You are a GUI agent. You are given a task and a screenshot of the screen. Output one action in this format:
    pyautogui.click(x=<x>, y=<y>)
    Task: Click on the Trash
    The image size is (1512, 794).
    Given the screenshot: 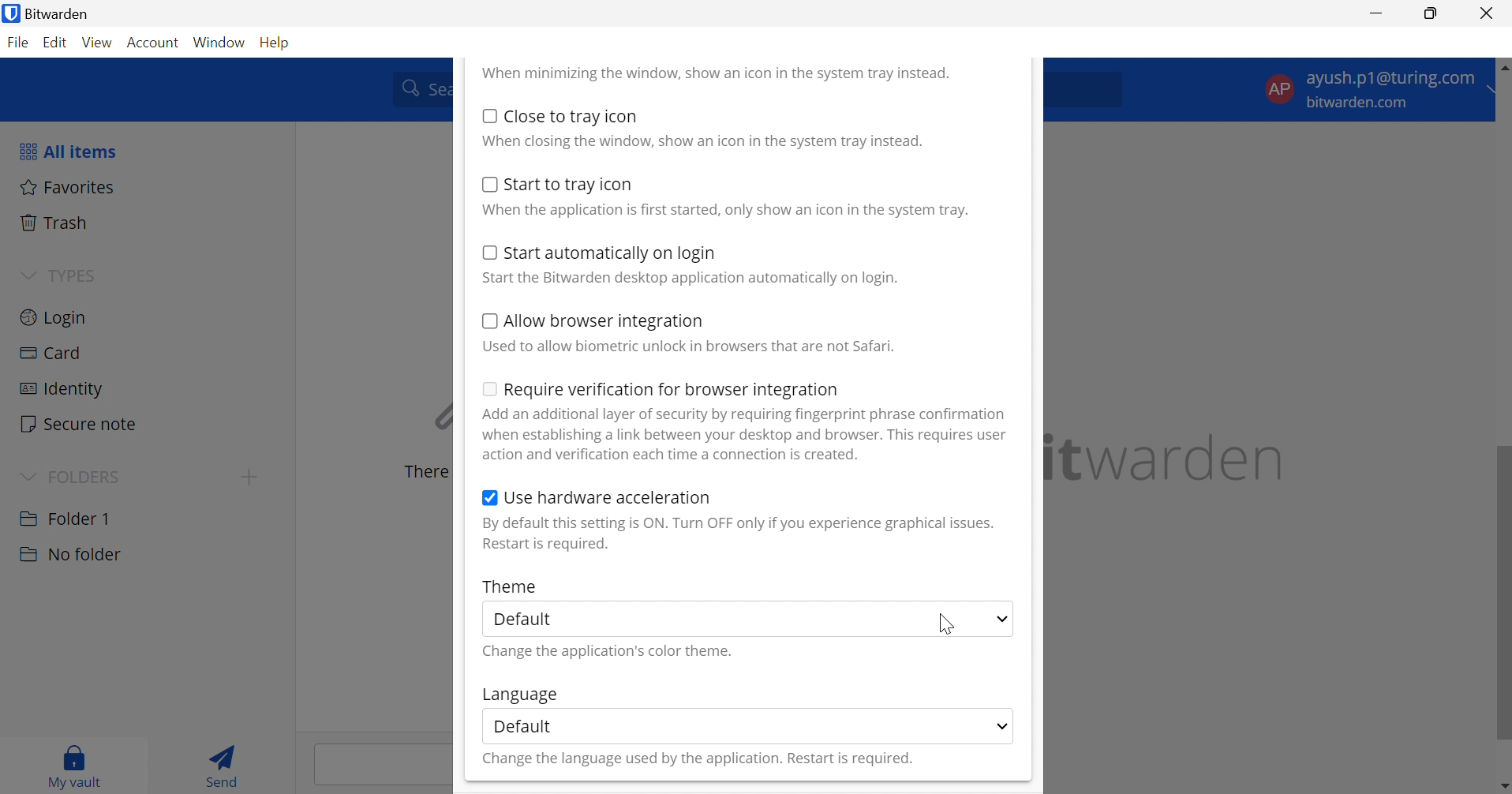 What is the action you would take?
    pyautogui.click(x=56, y=223)
    